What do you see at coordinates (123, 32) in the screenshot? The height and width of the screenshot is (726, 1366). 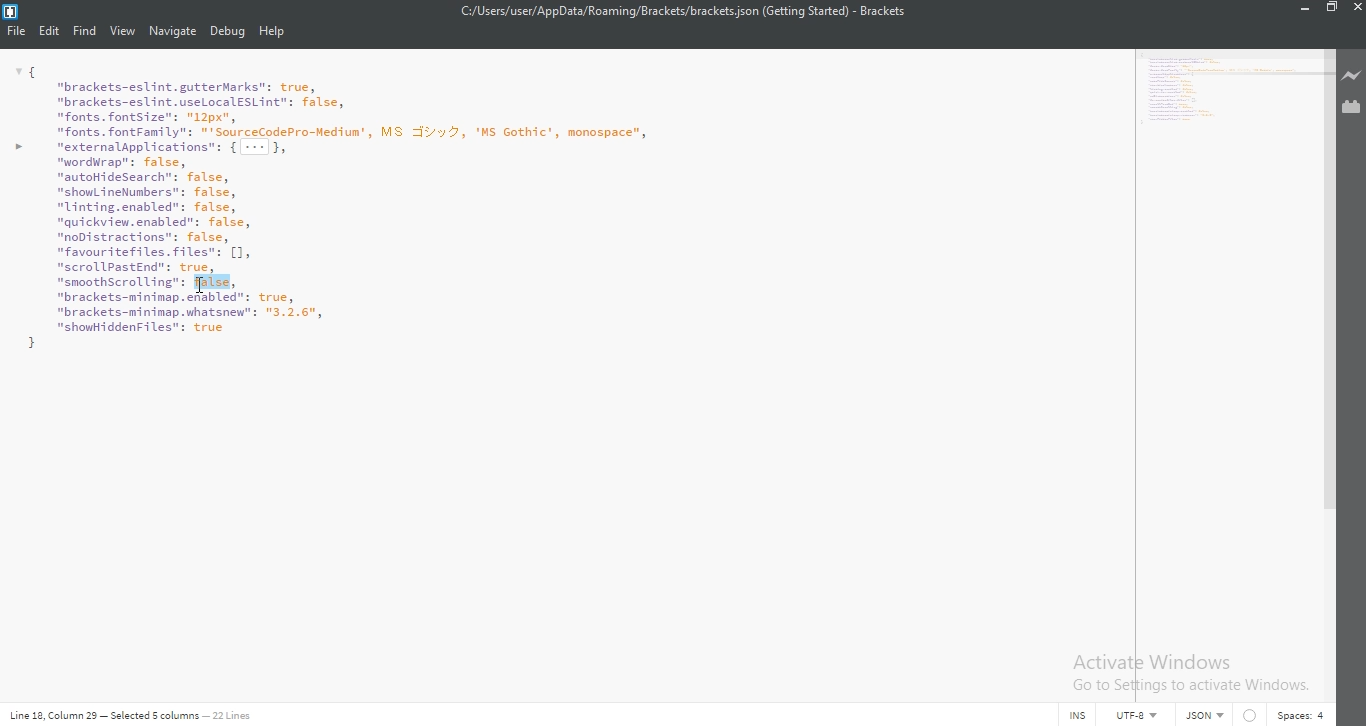 I see `View` at bounding box center [123, 32].